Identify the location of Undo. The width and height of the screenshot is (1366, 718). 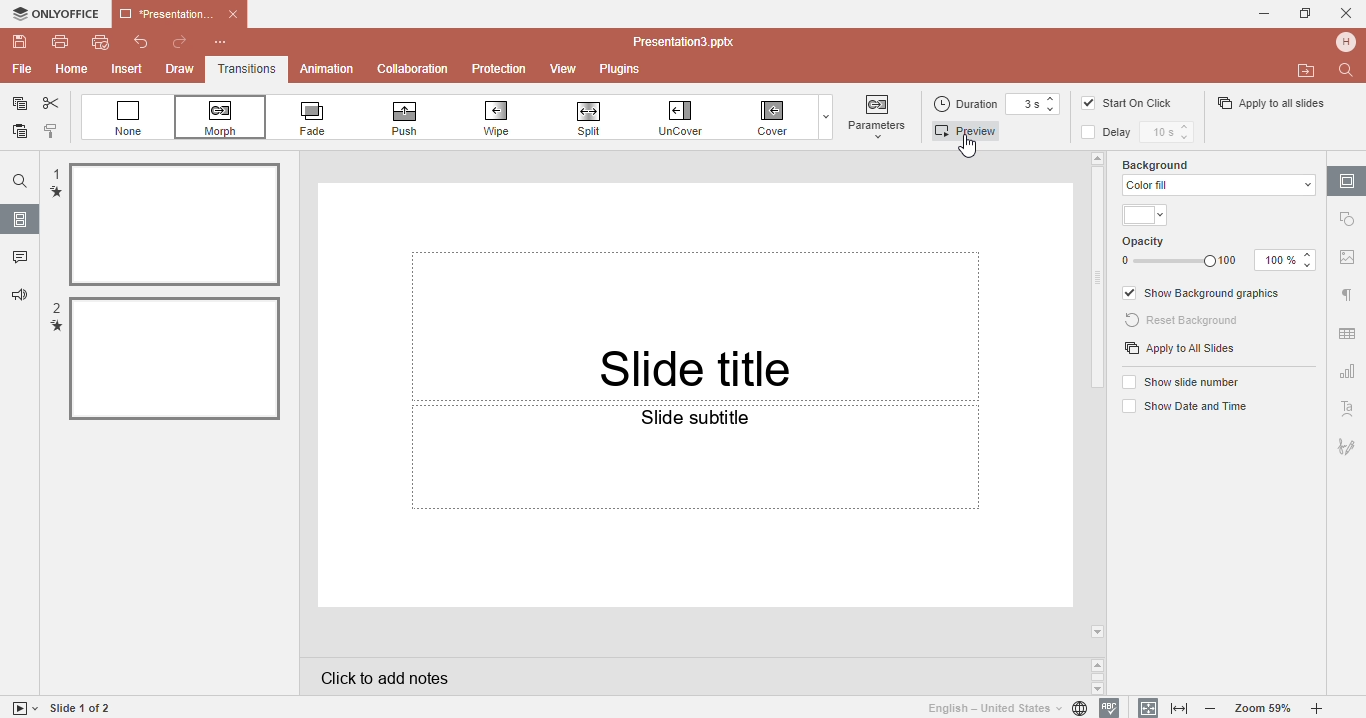
(134, 44).